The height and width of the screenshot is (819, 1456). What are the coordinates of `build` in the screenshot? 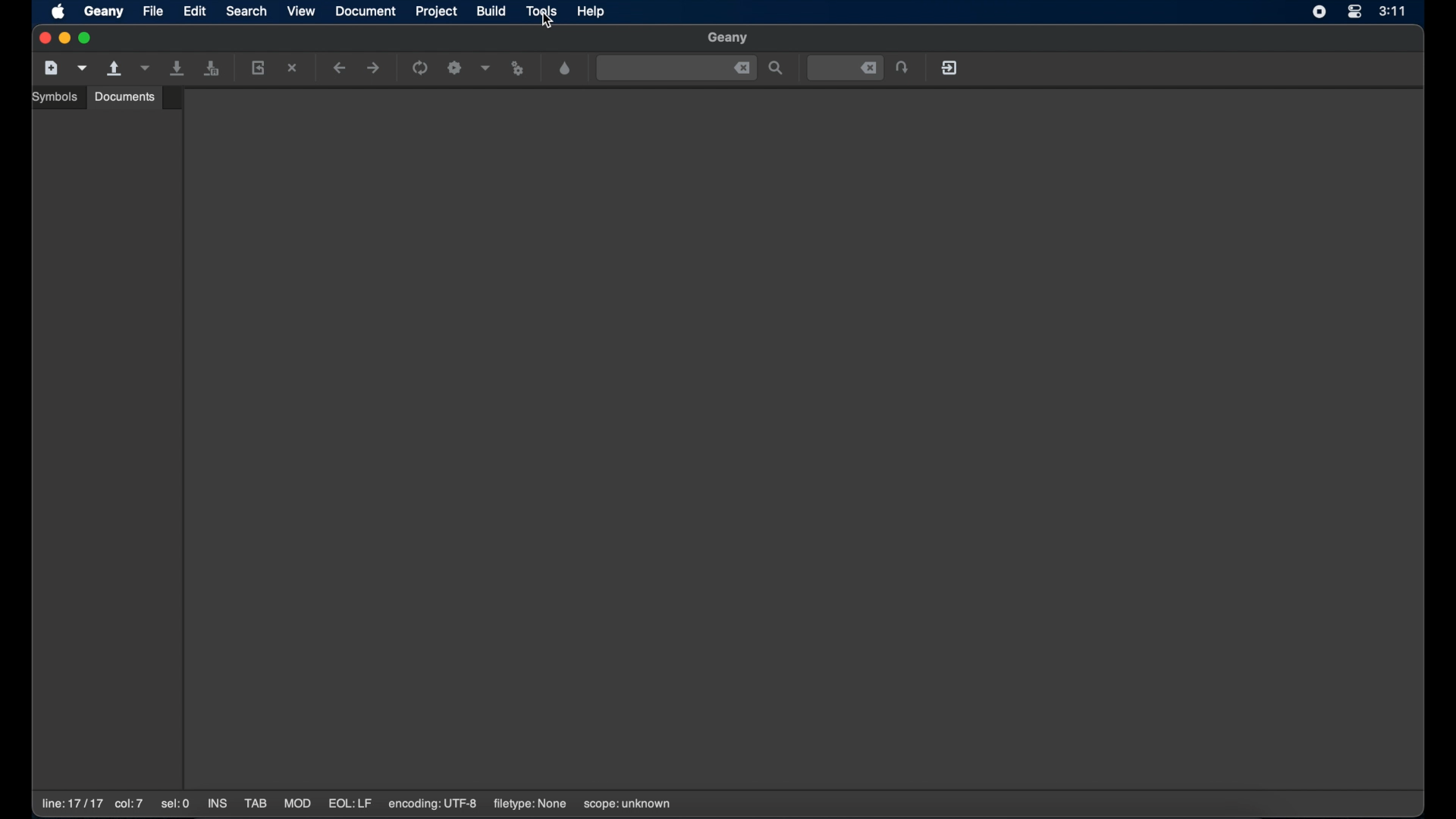 It's located at (492, 11).